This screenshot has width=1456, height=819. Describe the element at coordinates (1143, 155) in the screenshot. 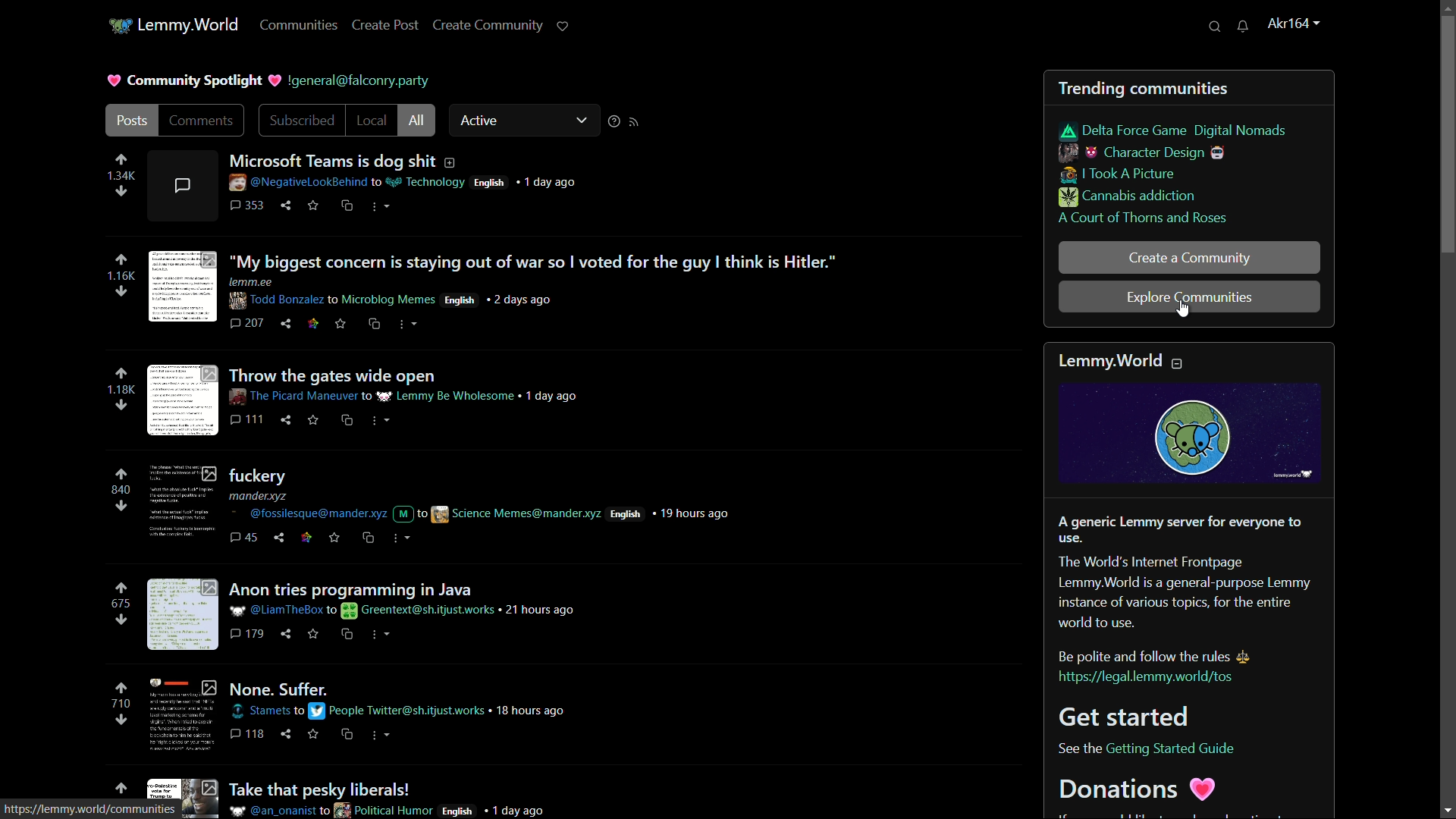

I see `character design` at that location.